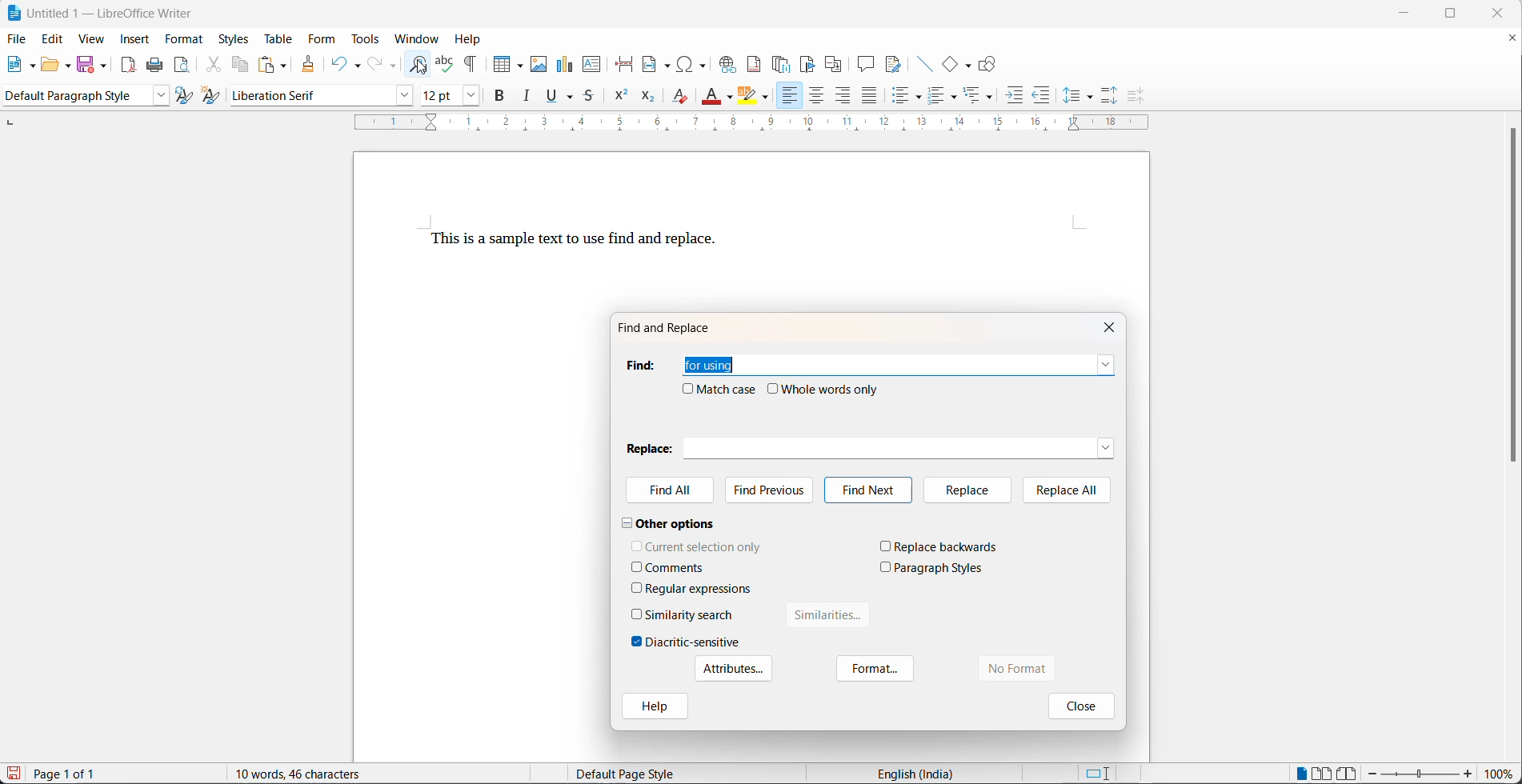  I want to click on font name, so click(306, 96).